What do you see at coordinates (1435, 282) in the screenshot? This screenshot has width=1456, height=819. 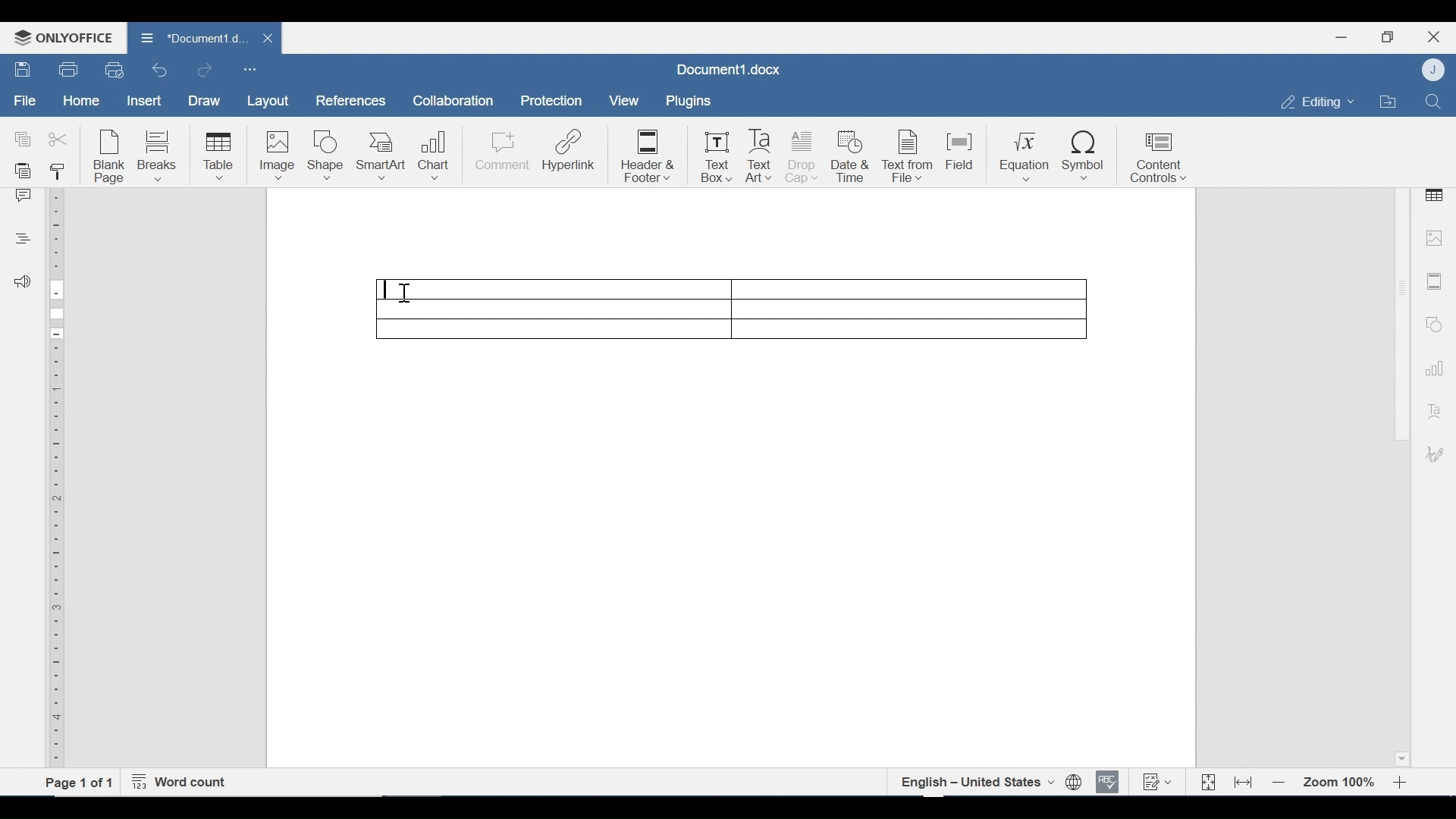 I see `Header and Footer` at bounding box center [1435, 282].